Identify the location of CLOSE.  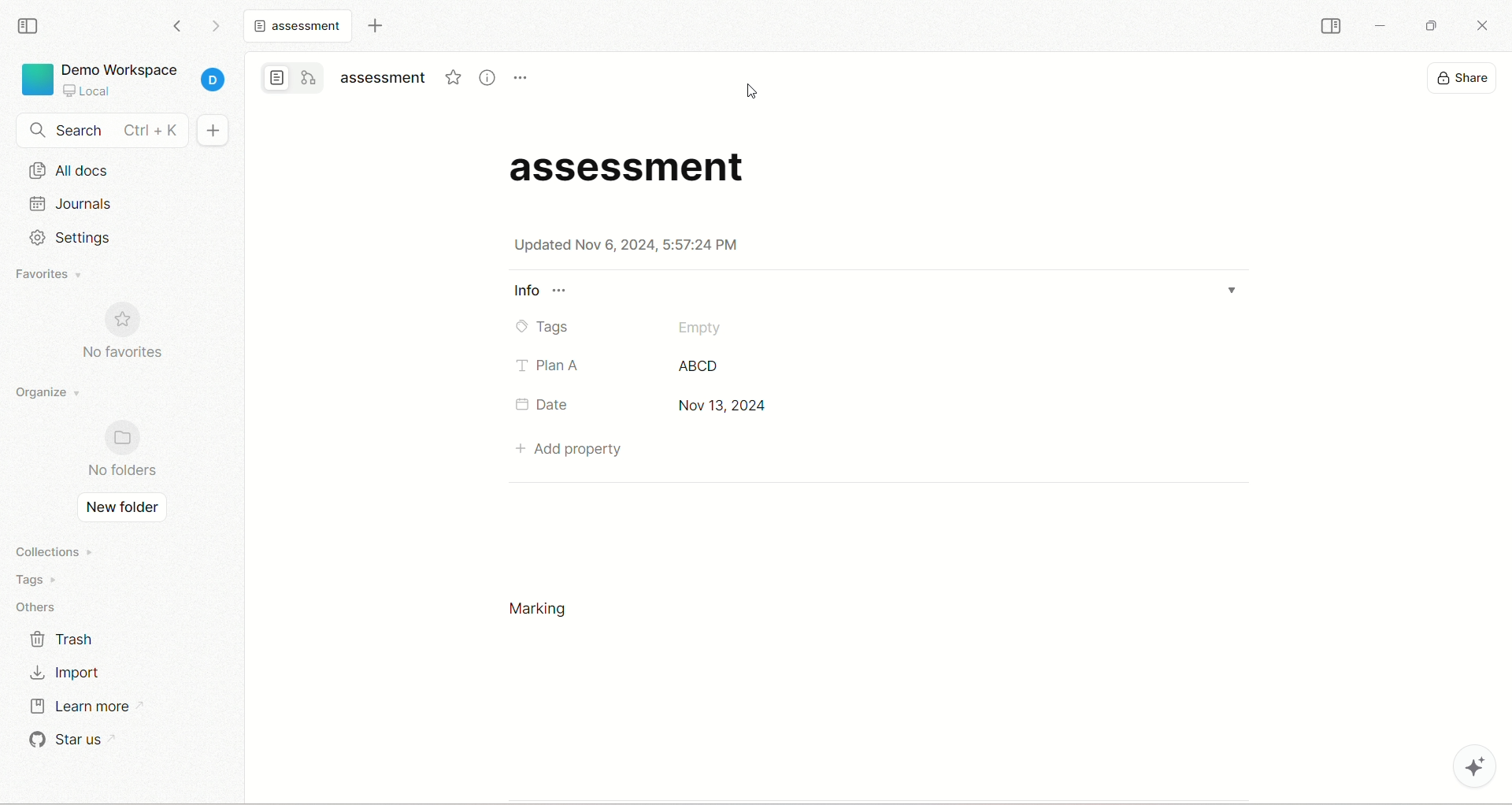
(1478, 22).